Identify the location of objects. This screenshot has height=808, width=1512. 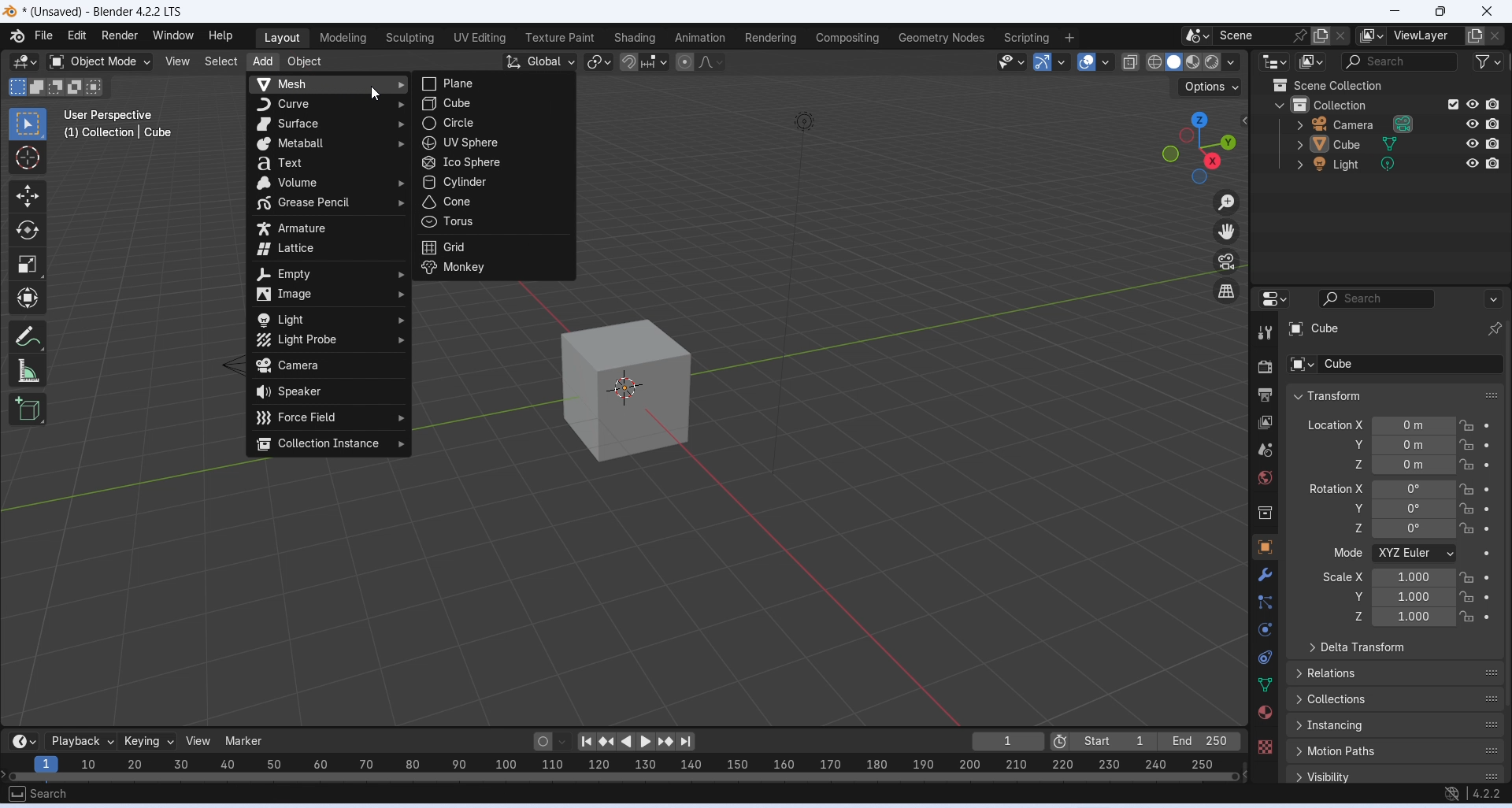
(1265, 547).